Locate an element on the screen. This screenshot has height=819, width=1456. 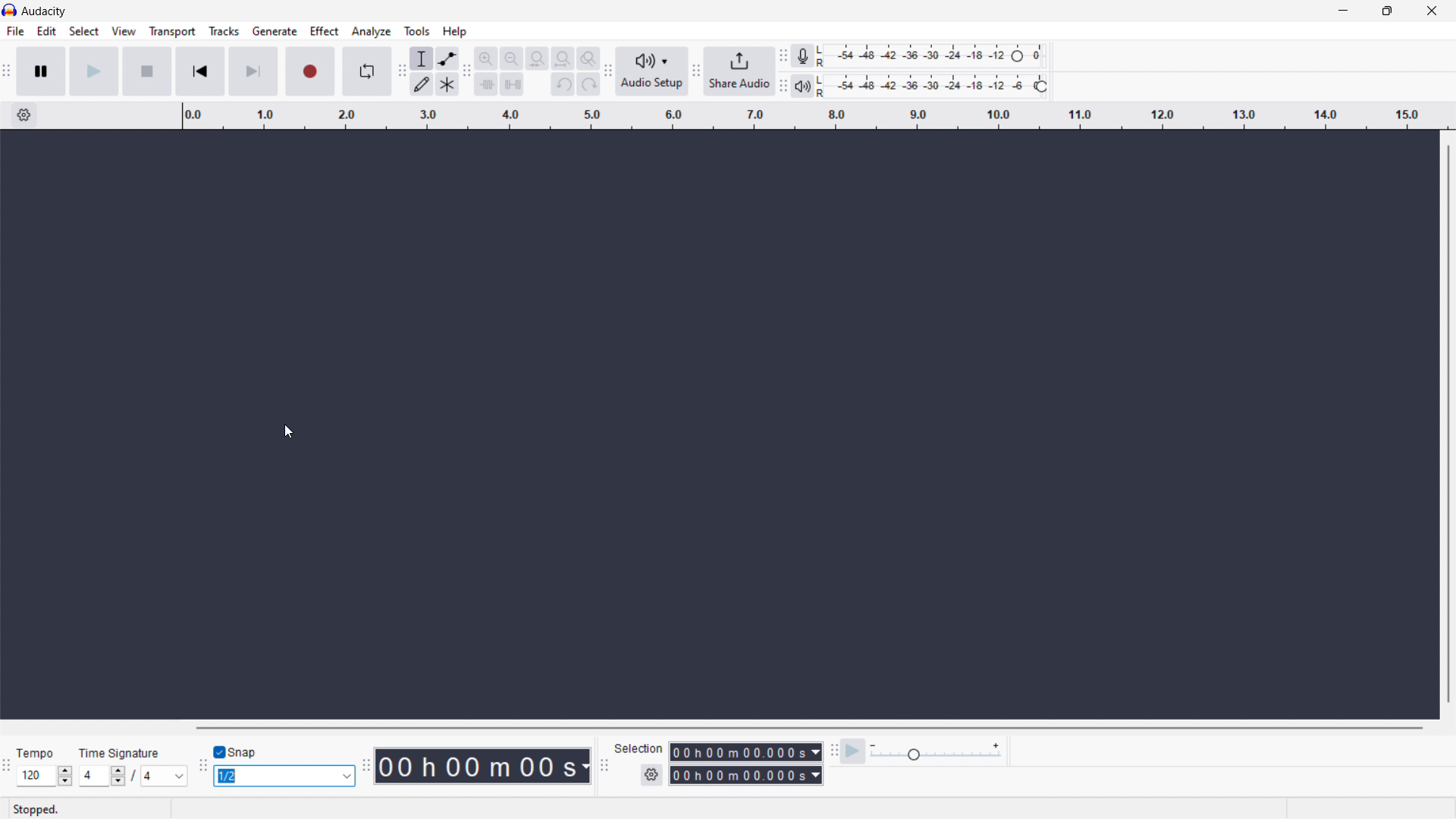
zoom out is located at coordinates (512, 58).